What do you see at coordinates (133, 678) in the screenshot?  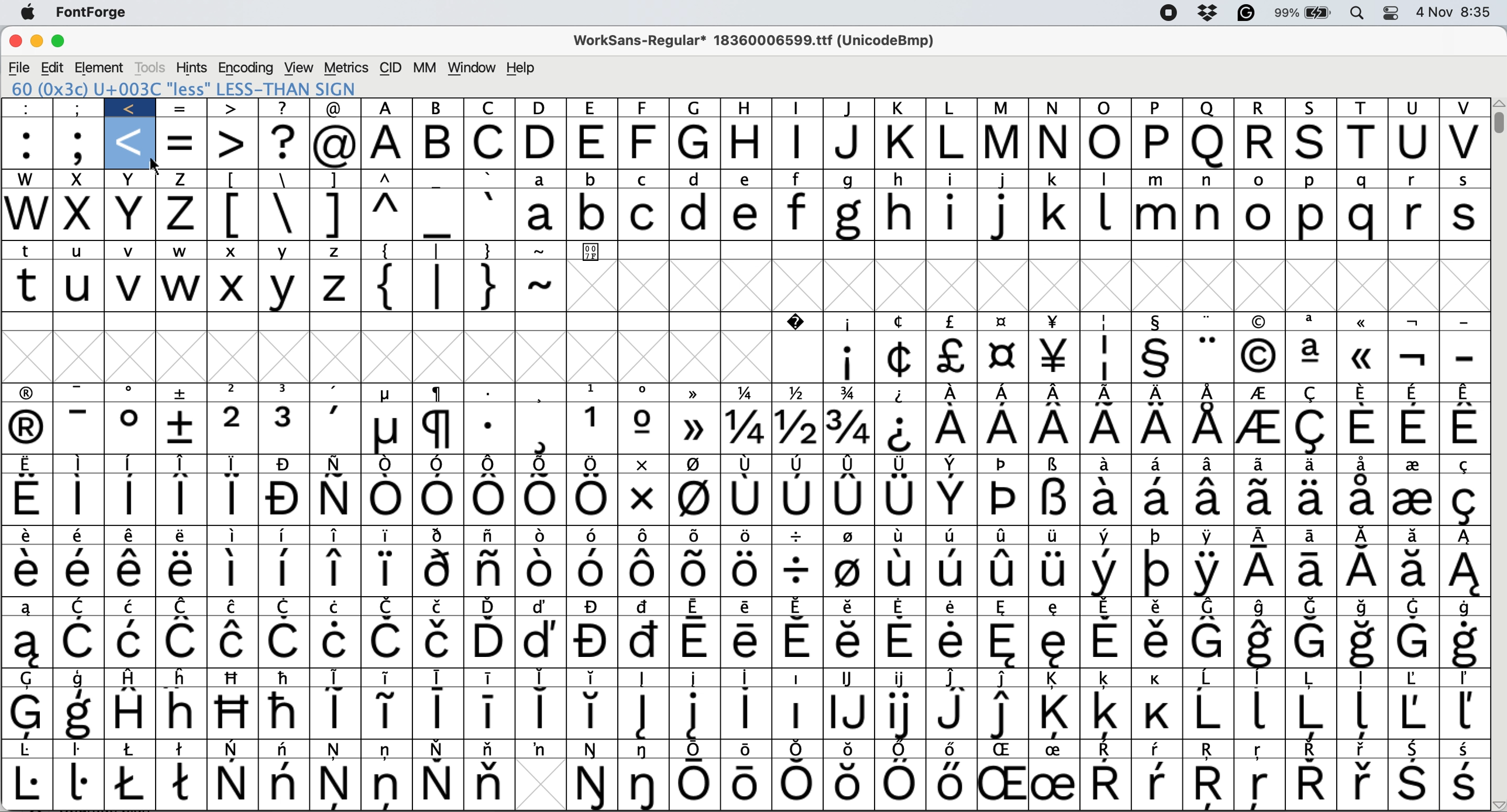 I see `Symbol` at bounding box center [133, 678].